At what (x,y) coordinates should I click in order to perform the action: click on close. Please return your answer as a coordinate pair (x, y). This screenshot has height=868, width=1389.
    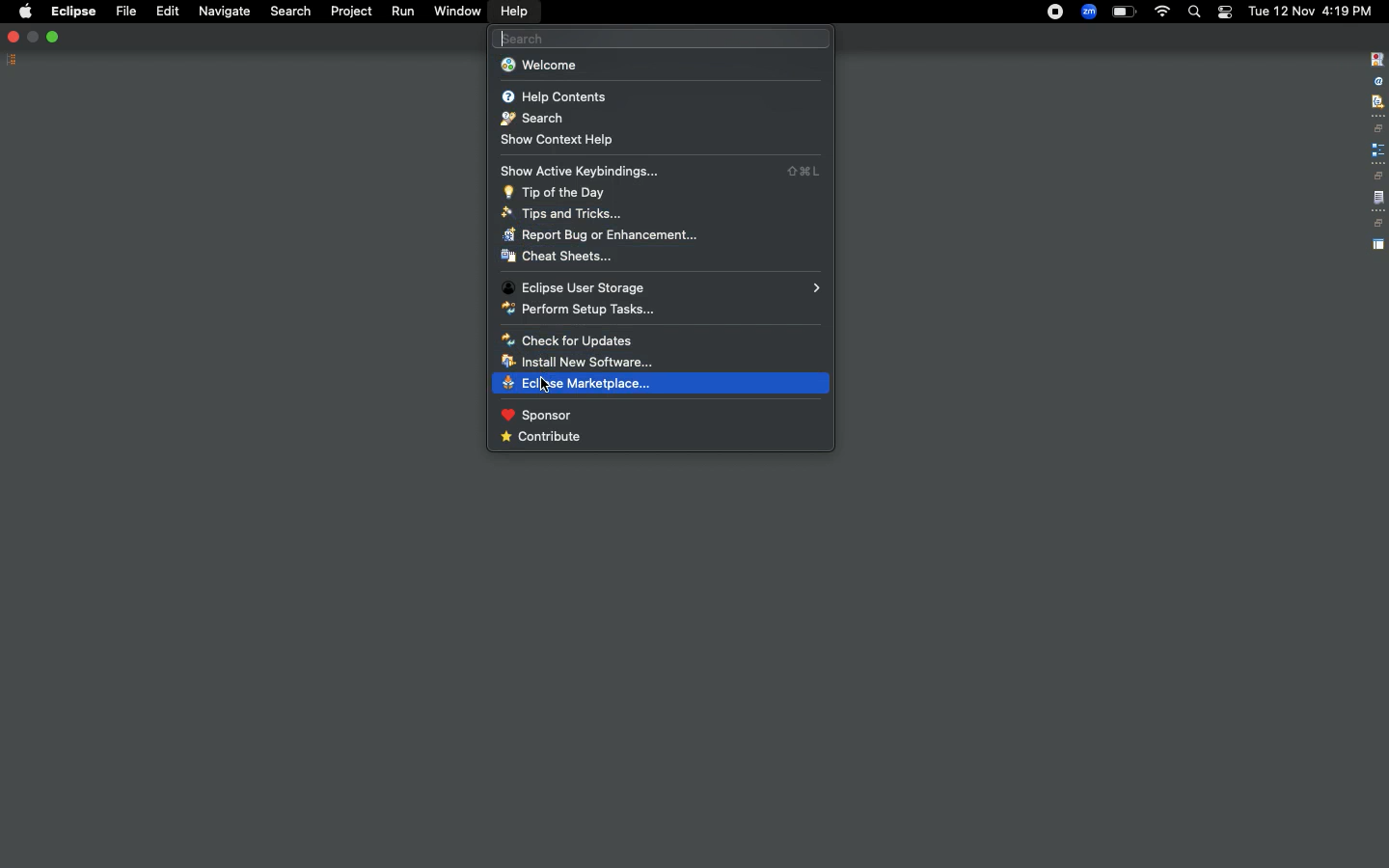
    Looking at the image, I should click on (13, 36).